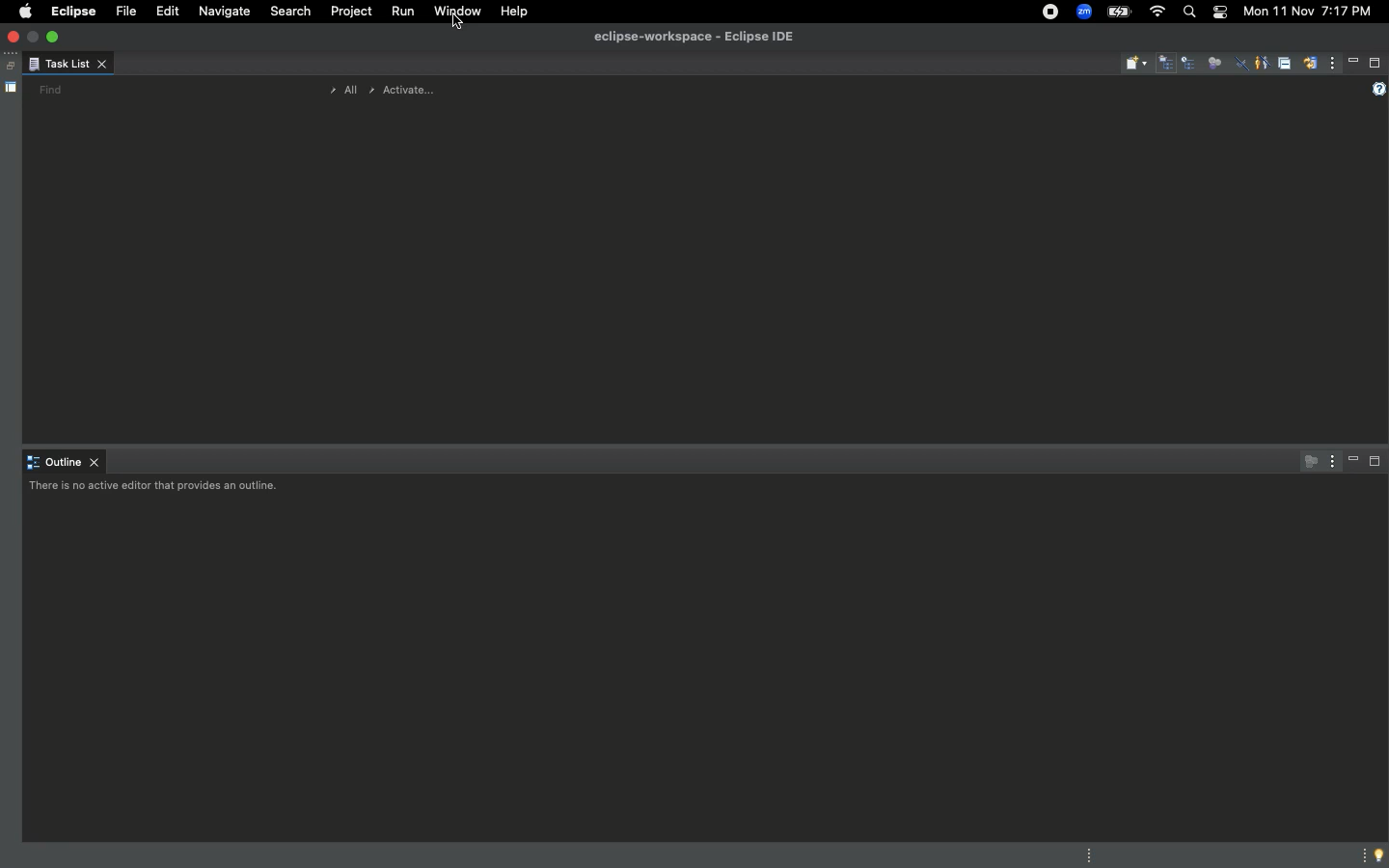 This screenshot has height=868, width=1389. Describe the element at coordinates (50, 90) in the screenshot. I see `Find` at that location.